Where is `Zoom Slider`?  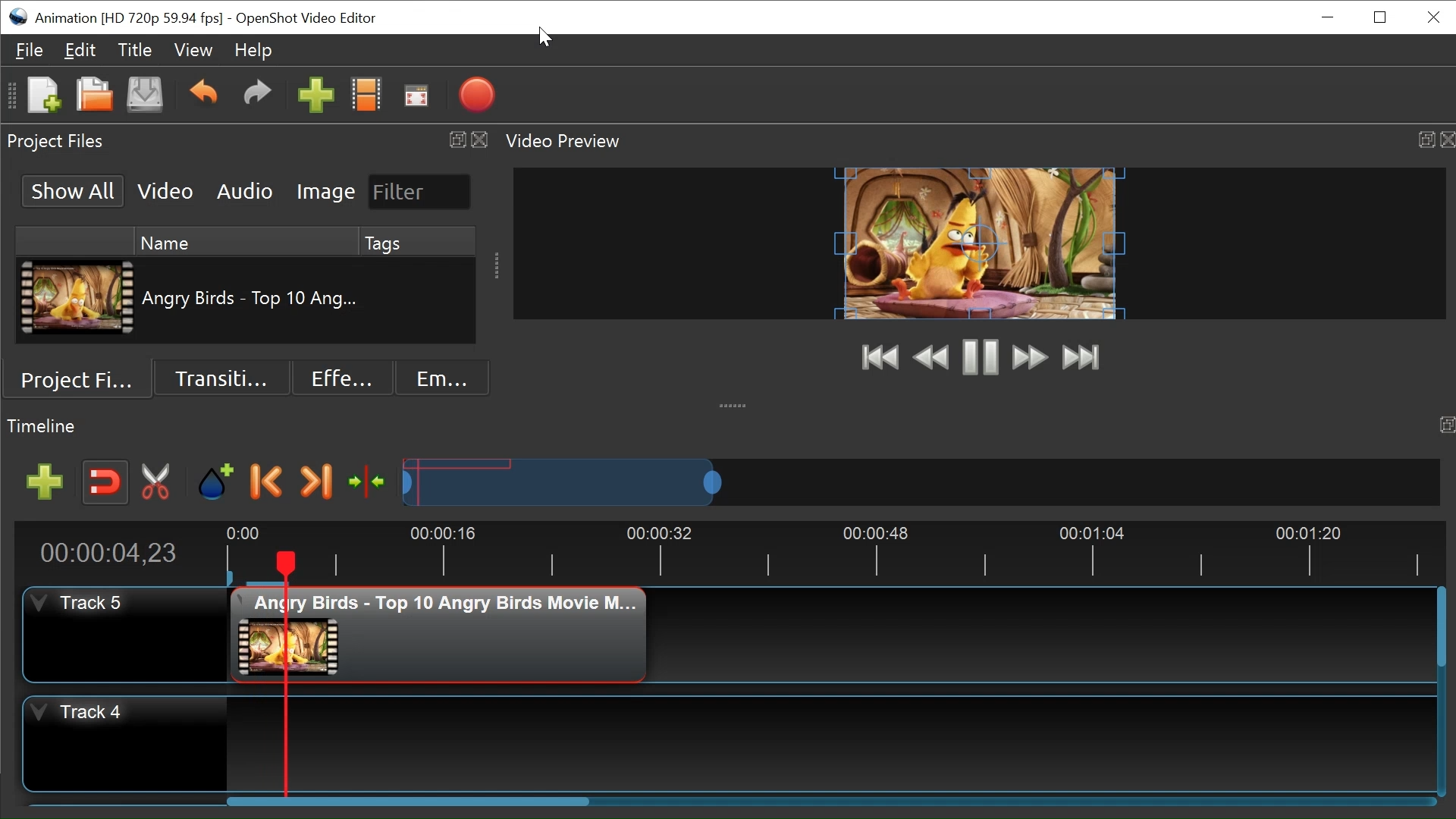 Zoom Slider is located at coordinates (921, 482).